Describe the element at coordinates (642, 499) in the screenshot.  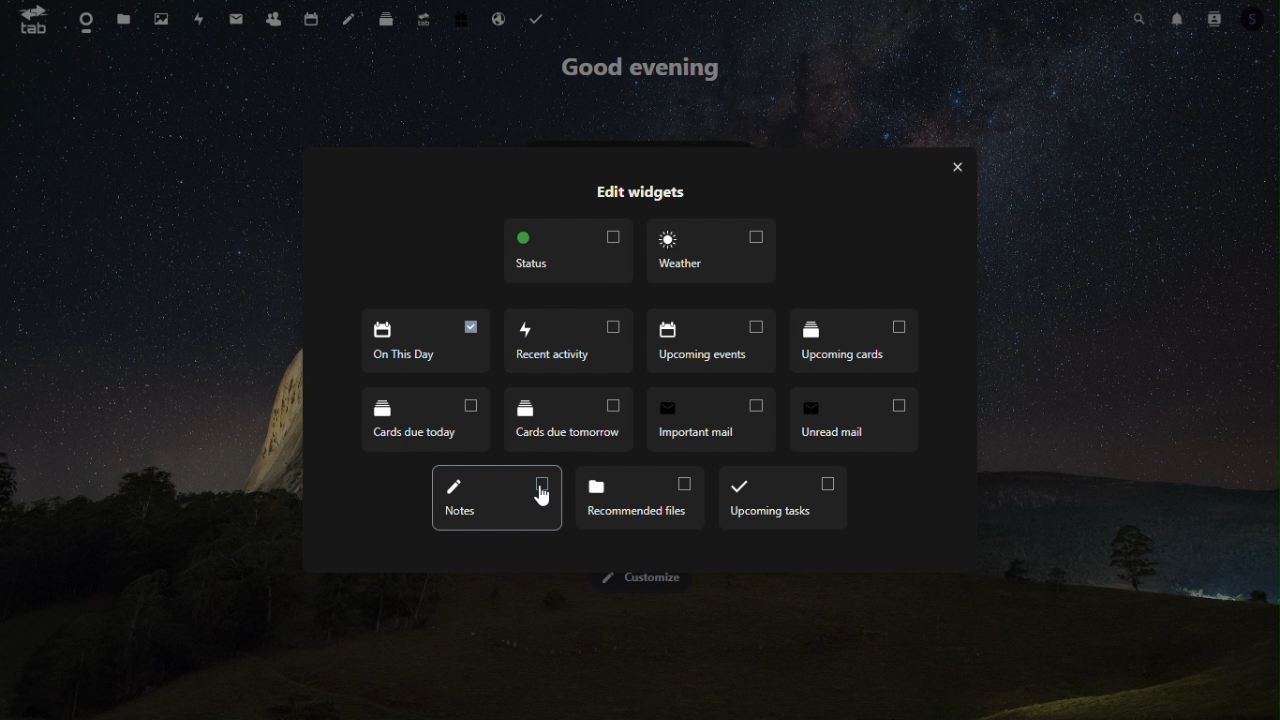
I see `Recommended files` at that location.